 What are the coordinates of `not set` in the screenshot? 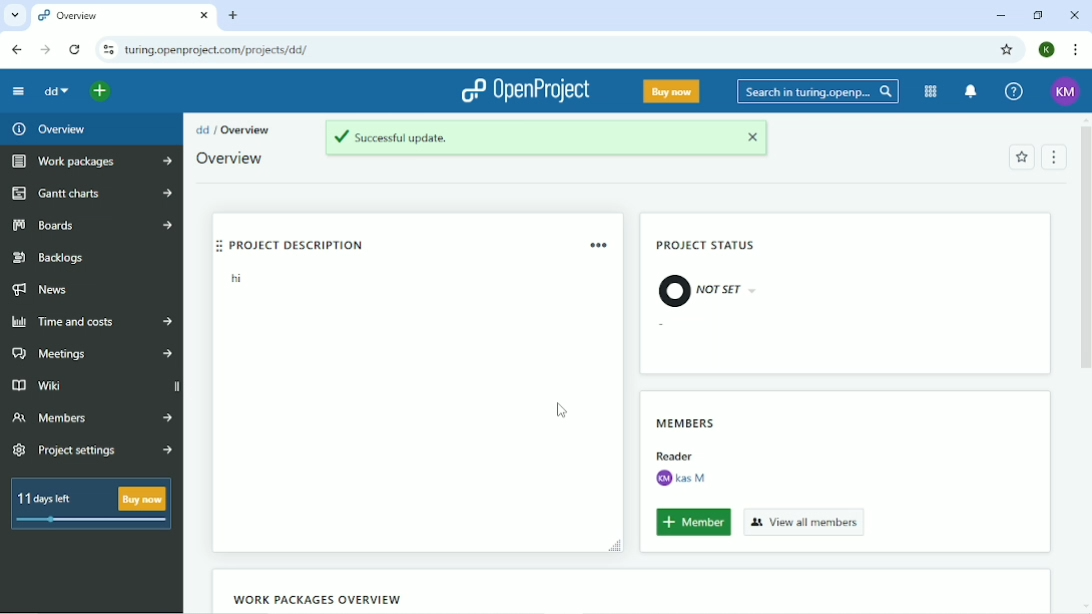 It's located at (707, 289).